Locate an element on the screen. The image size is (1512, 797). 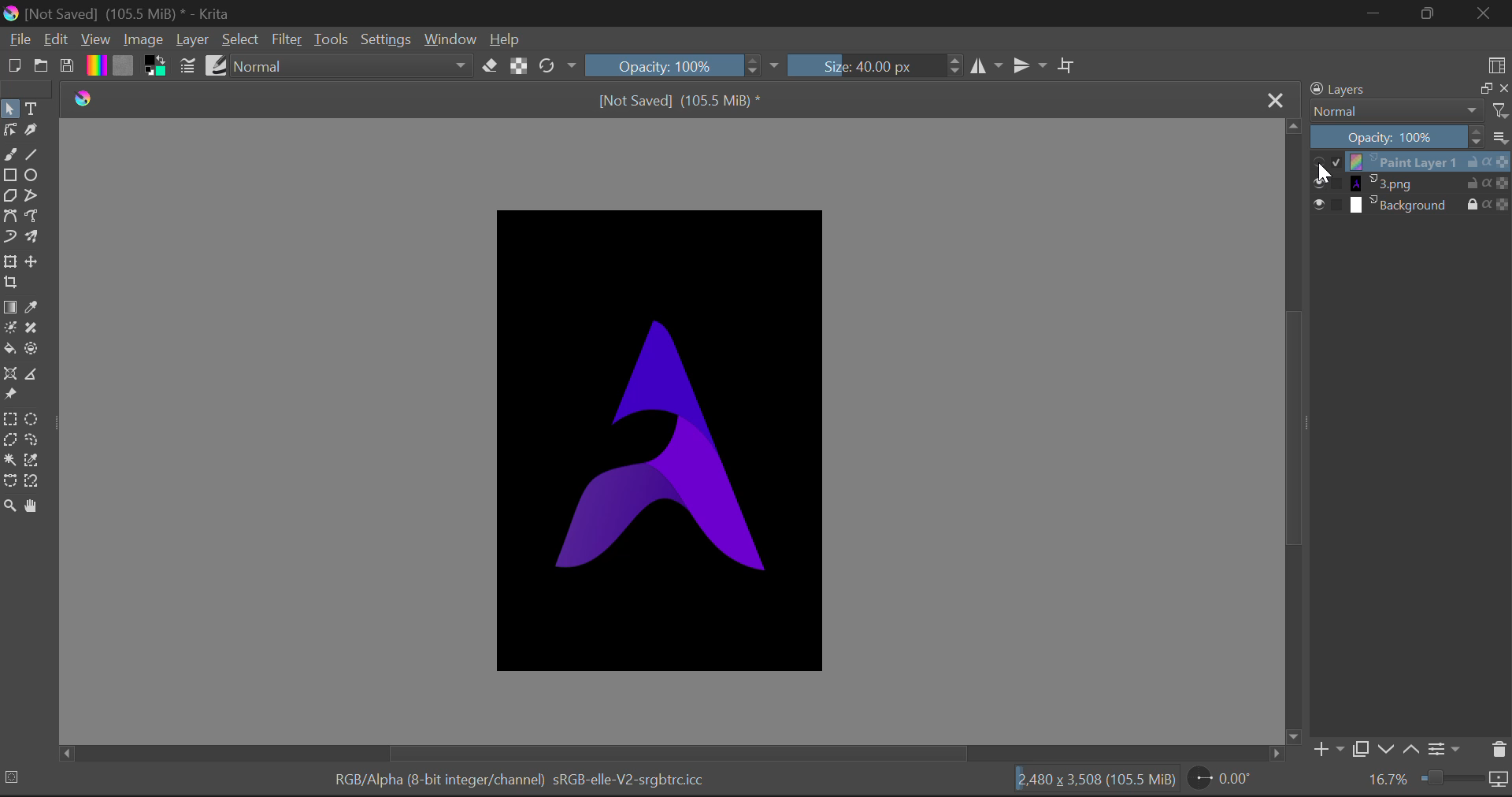
show or hide layer is located at coordinates (1329, 205).